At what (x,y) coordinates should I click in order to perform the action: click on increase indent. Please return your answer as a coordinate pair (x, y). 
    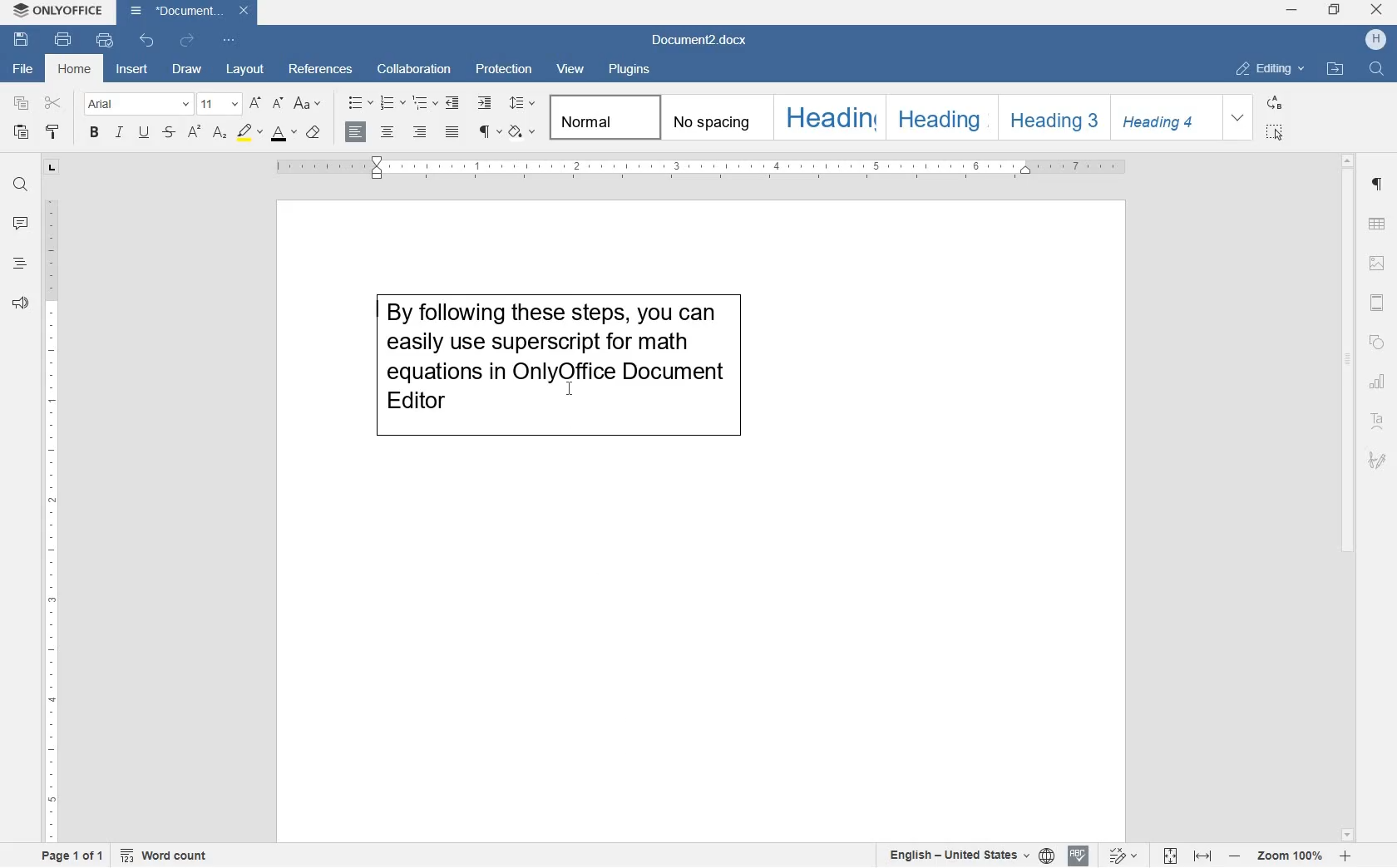
    Looking at the image, I should click on (485, 103).